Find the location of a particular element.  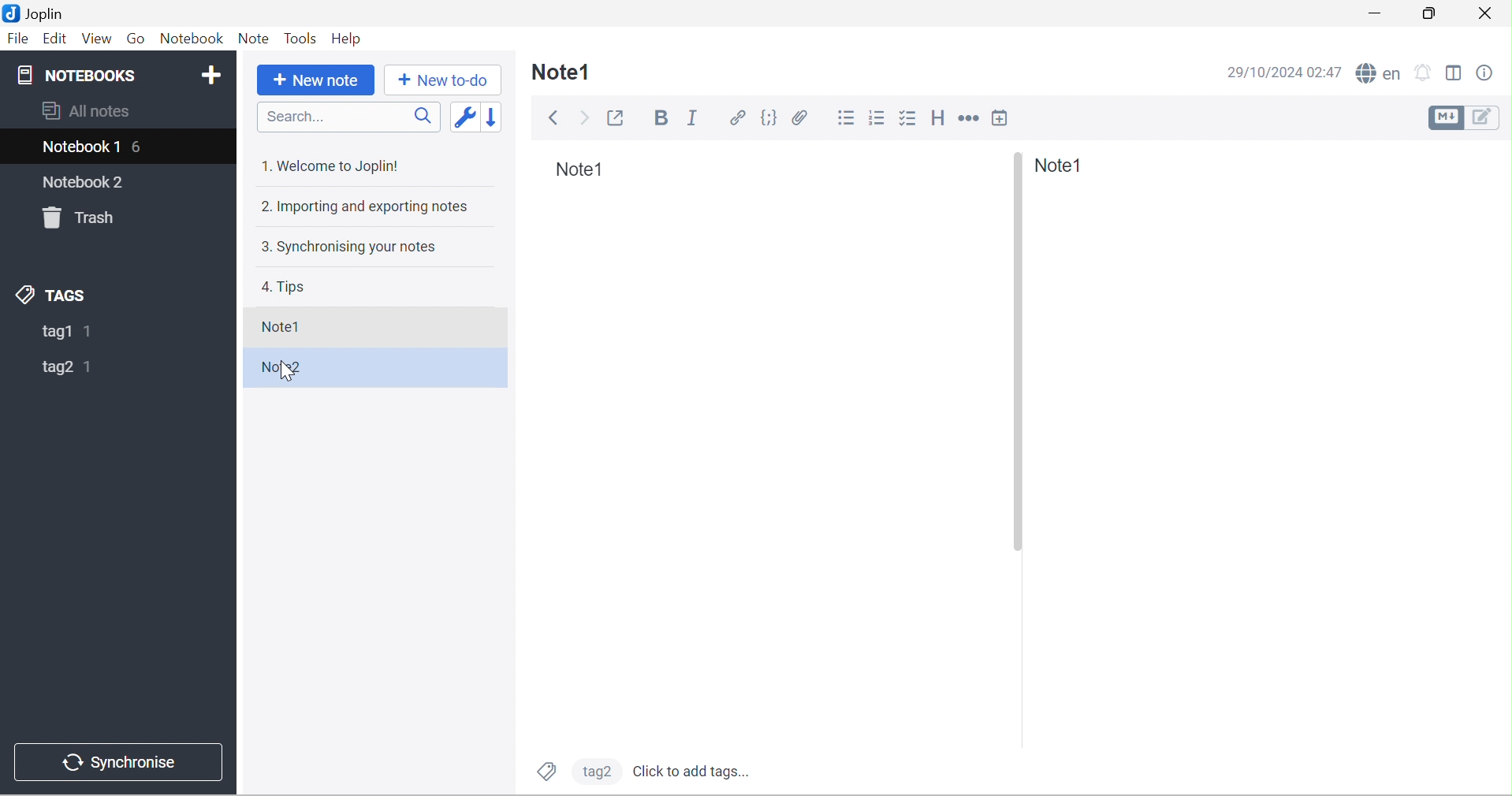

Bulleted list is located at coordinates (845, 120).